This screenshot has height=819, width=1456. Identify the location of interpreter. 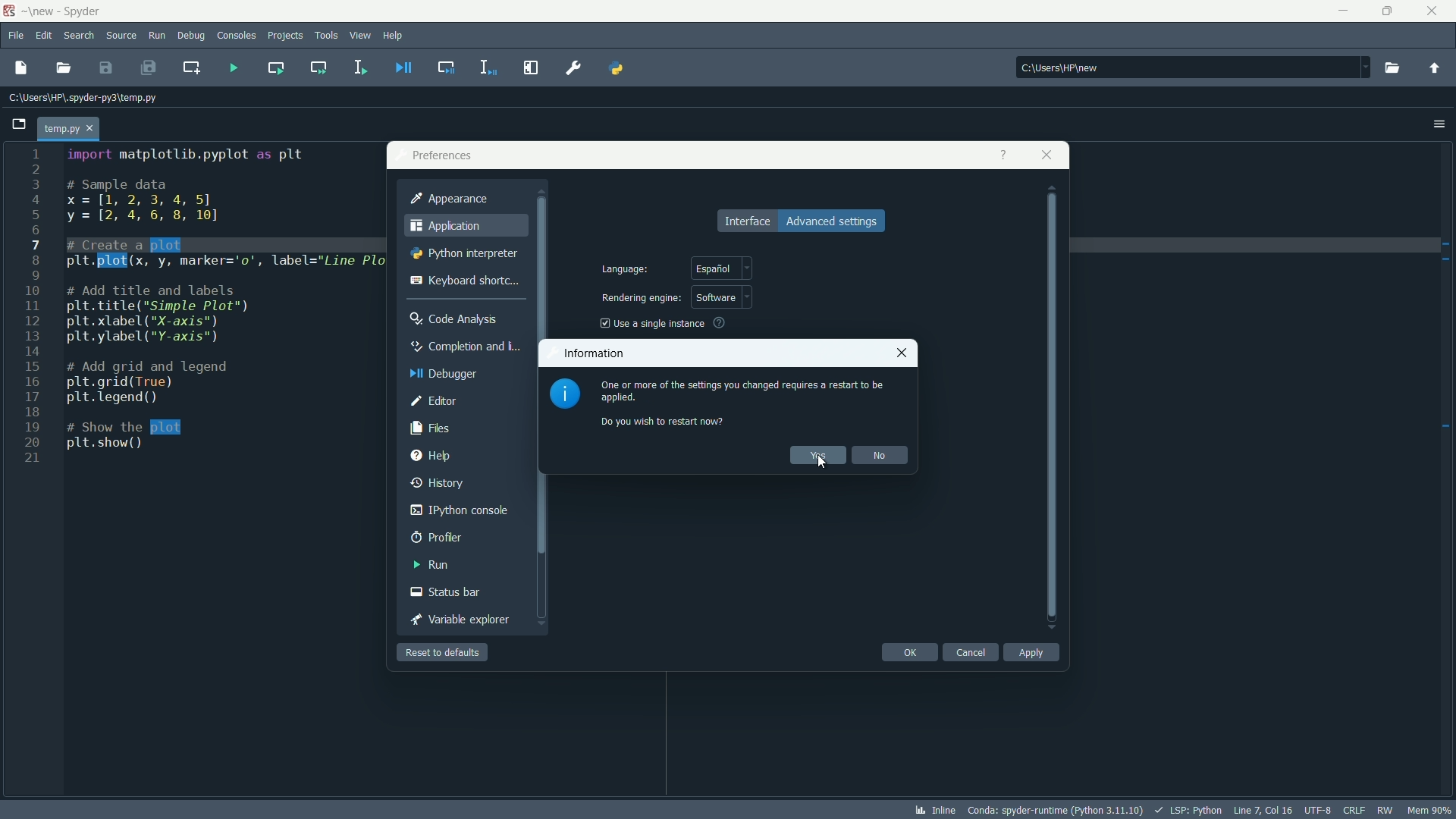
(1056, 810).